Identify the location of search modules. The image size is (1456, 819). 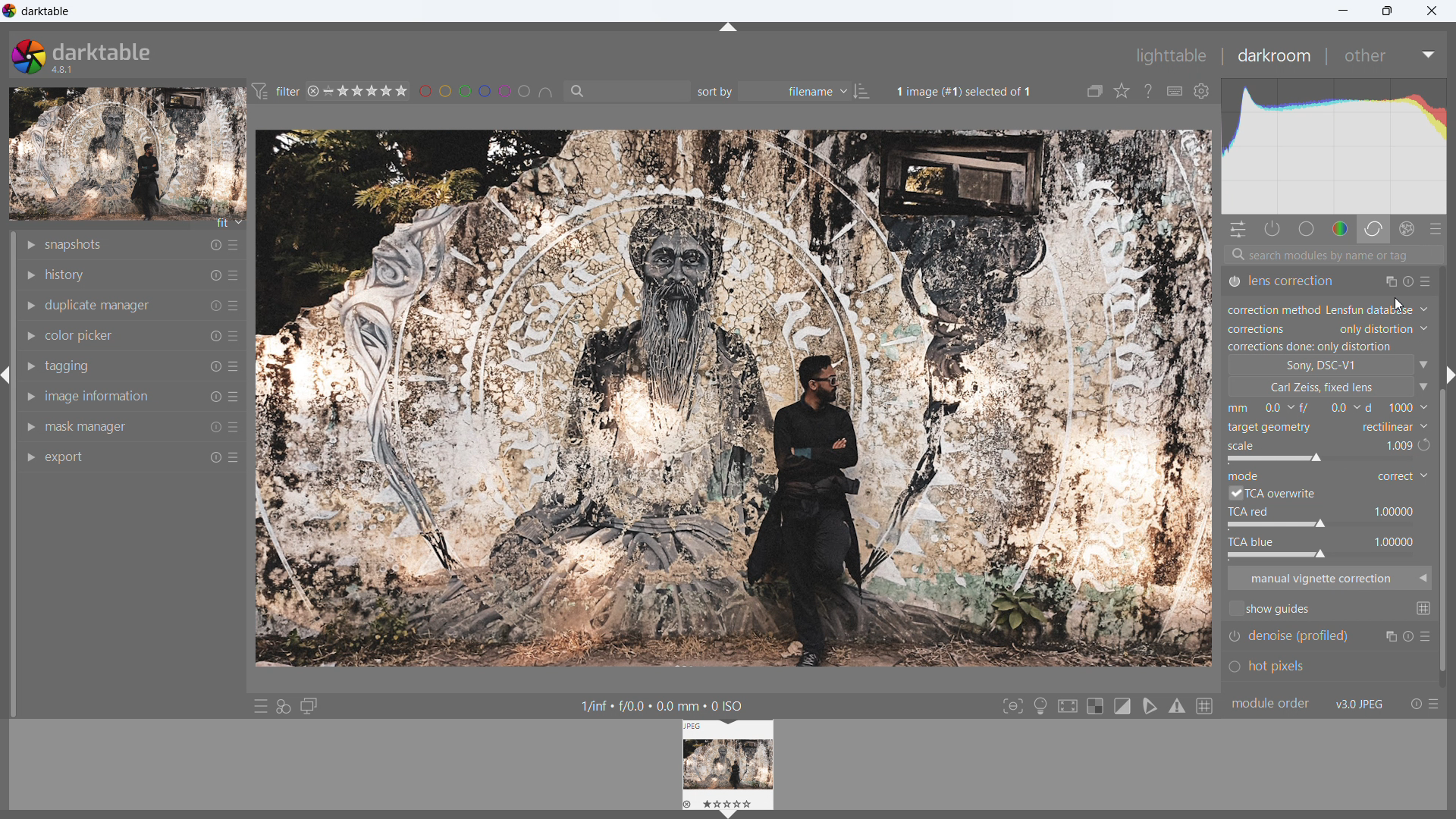
(1335, 256).